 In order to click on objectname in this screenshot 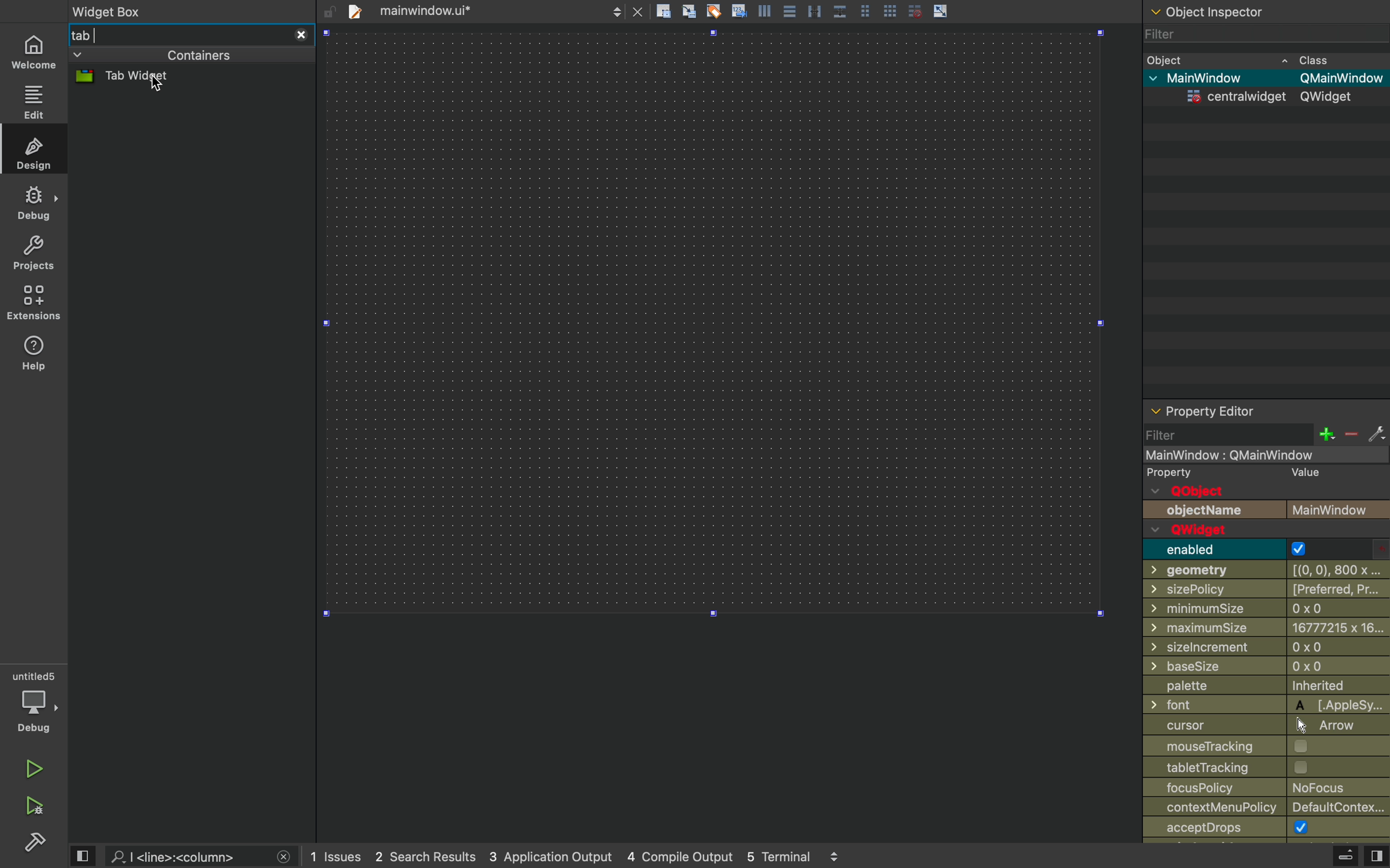, I will do `click(1265, 509)`.